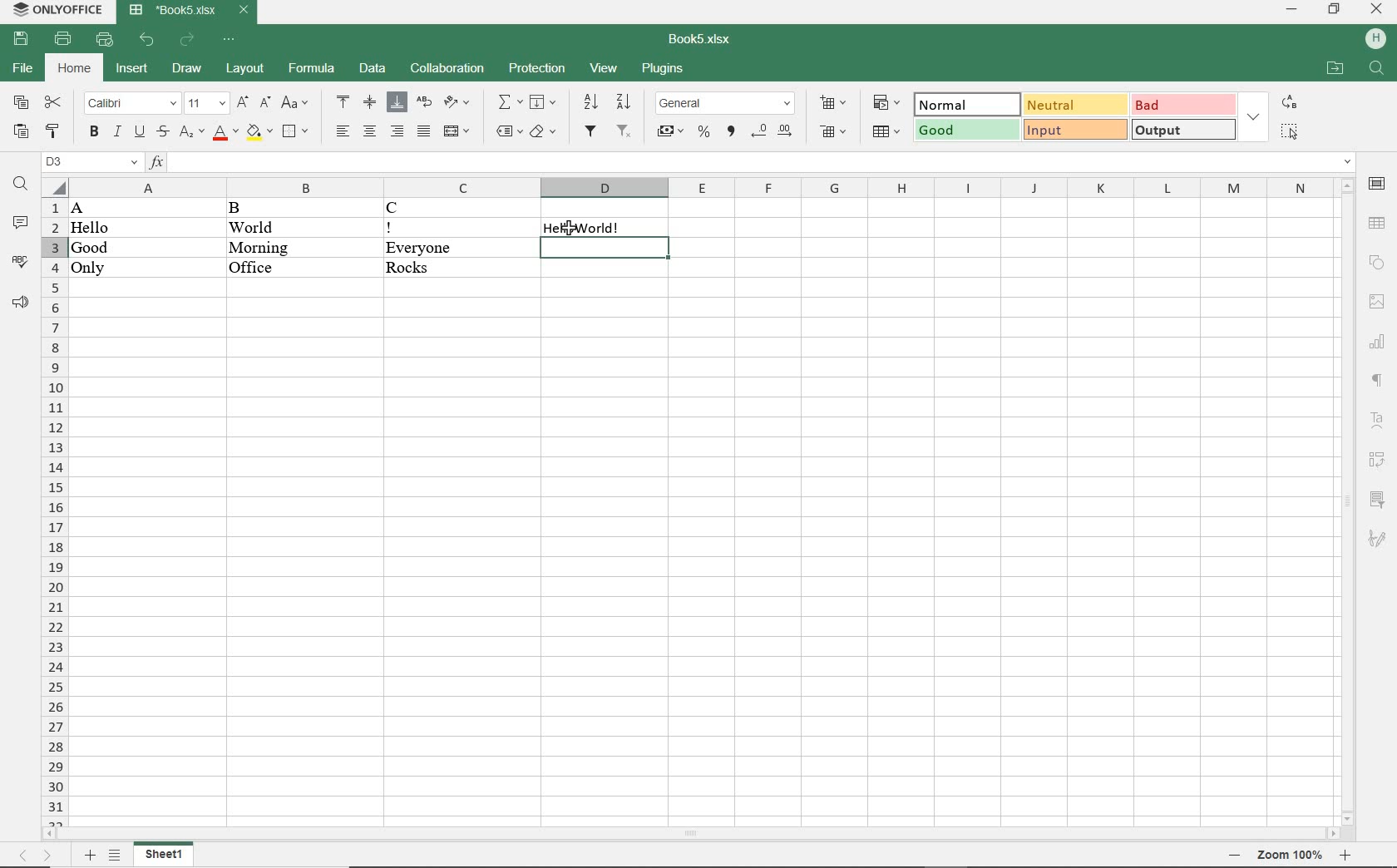 The image size is (1397, 868). I want to click on COMMA STYLE, so click(732, 131).